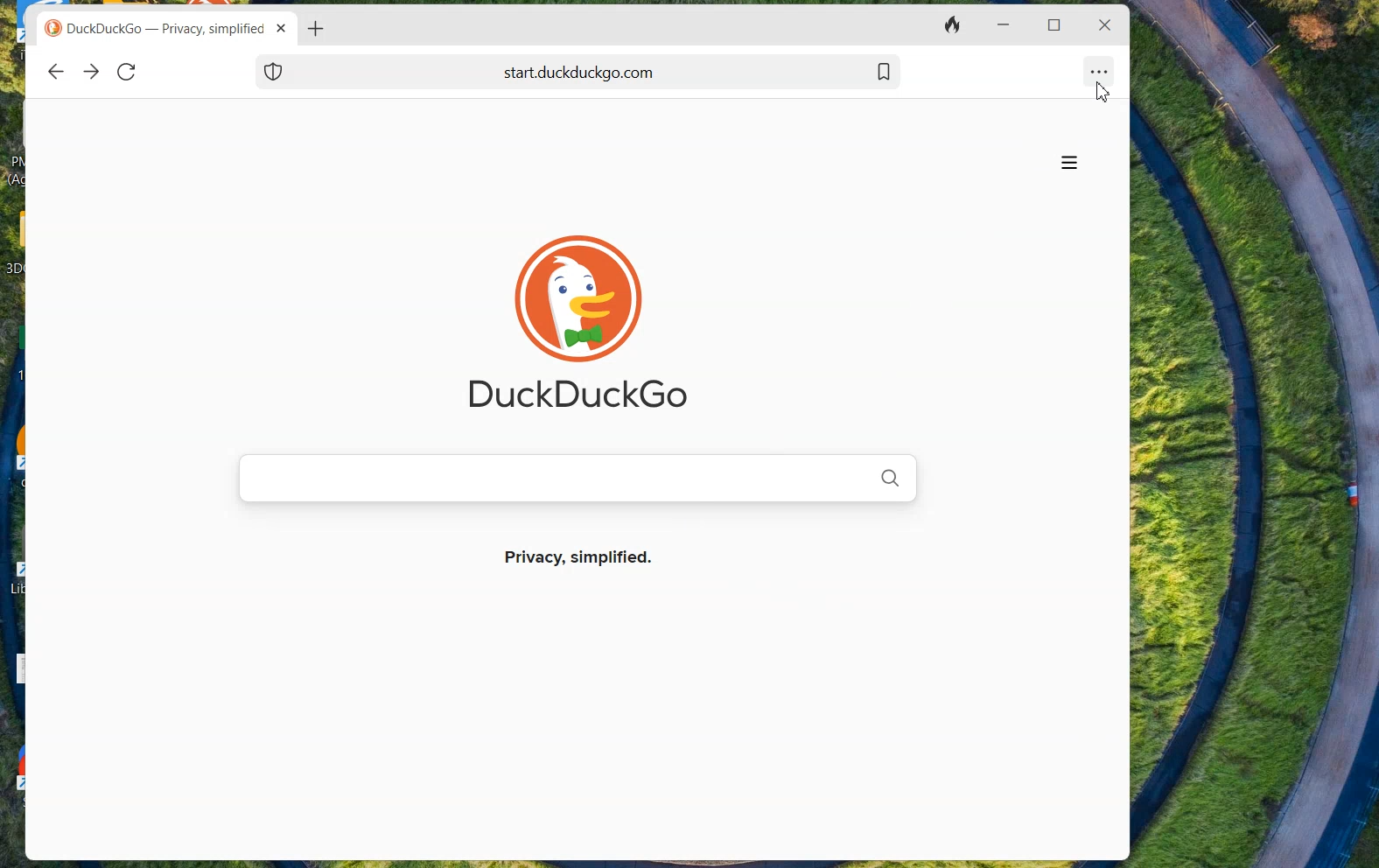  What do you see at coordinates (274, 71) in the screenshot?
I see `Shield Icon ` at bounding box center [274, 71].